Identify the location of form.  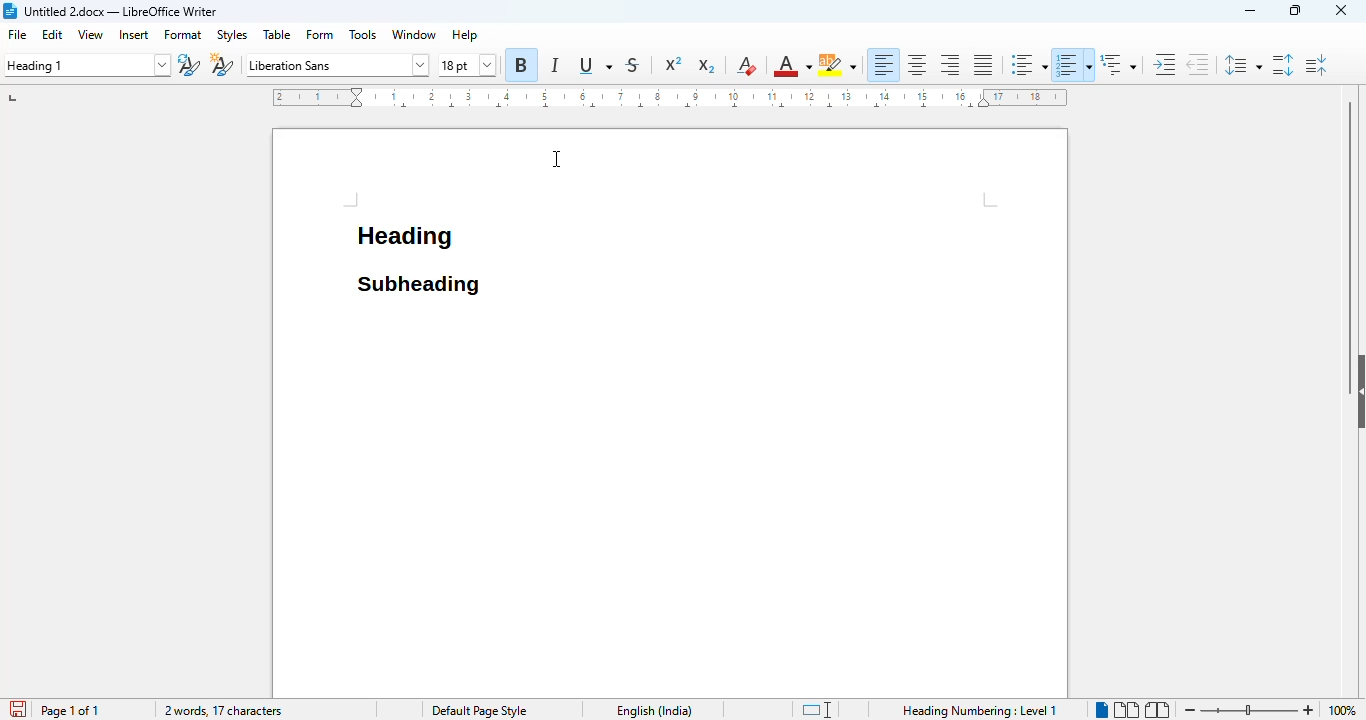
(321, 35).